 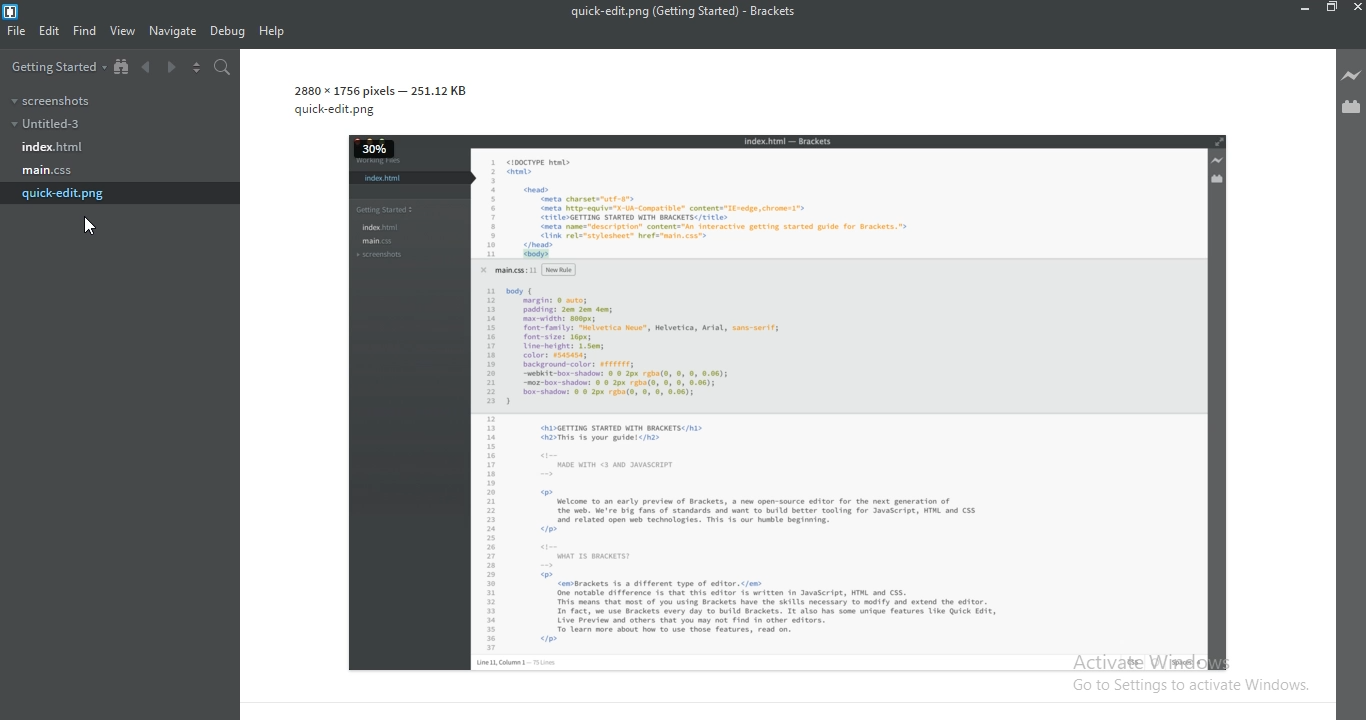 I want to click on index.html, so click(x=50, y=148).